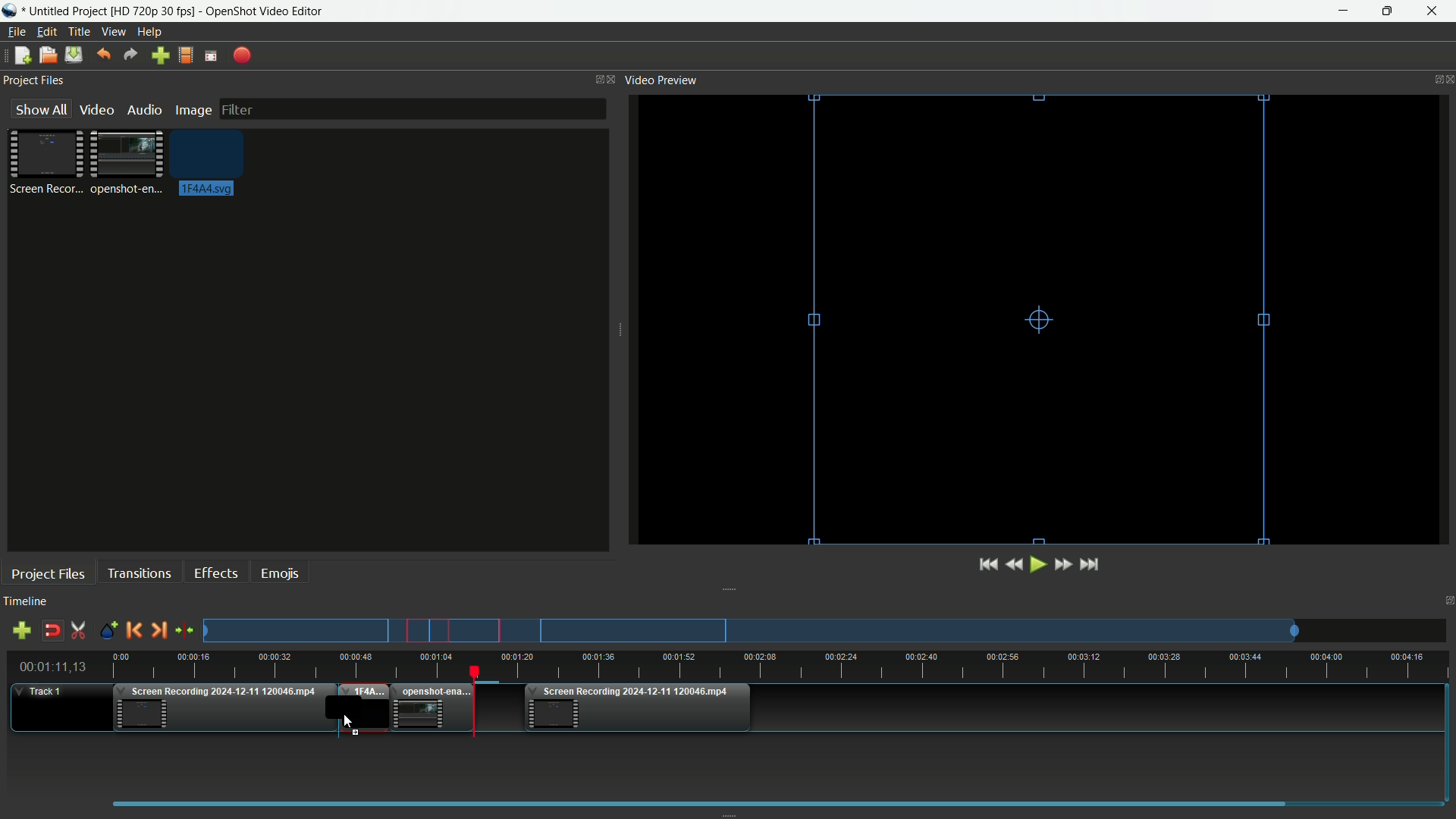 Image resolution: width=1456 pixels, height=819 pixels. Describe the element at coordinates (154, 12) in the screenshot. I see `Profile name` at that location.